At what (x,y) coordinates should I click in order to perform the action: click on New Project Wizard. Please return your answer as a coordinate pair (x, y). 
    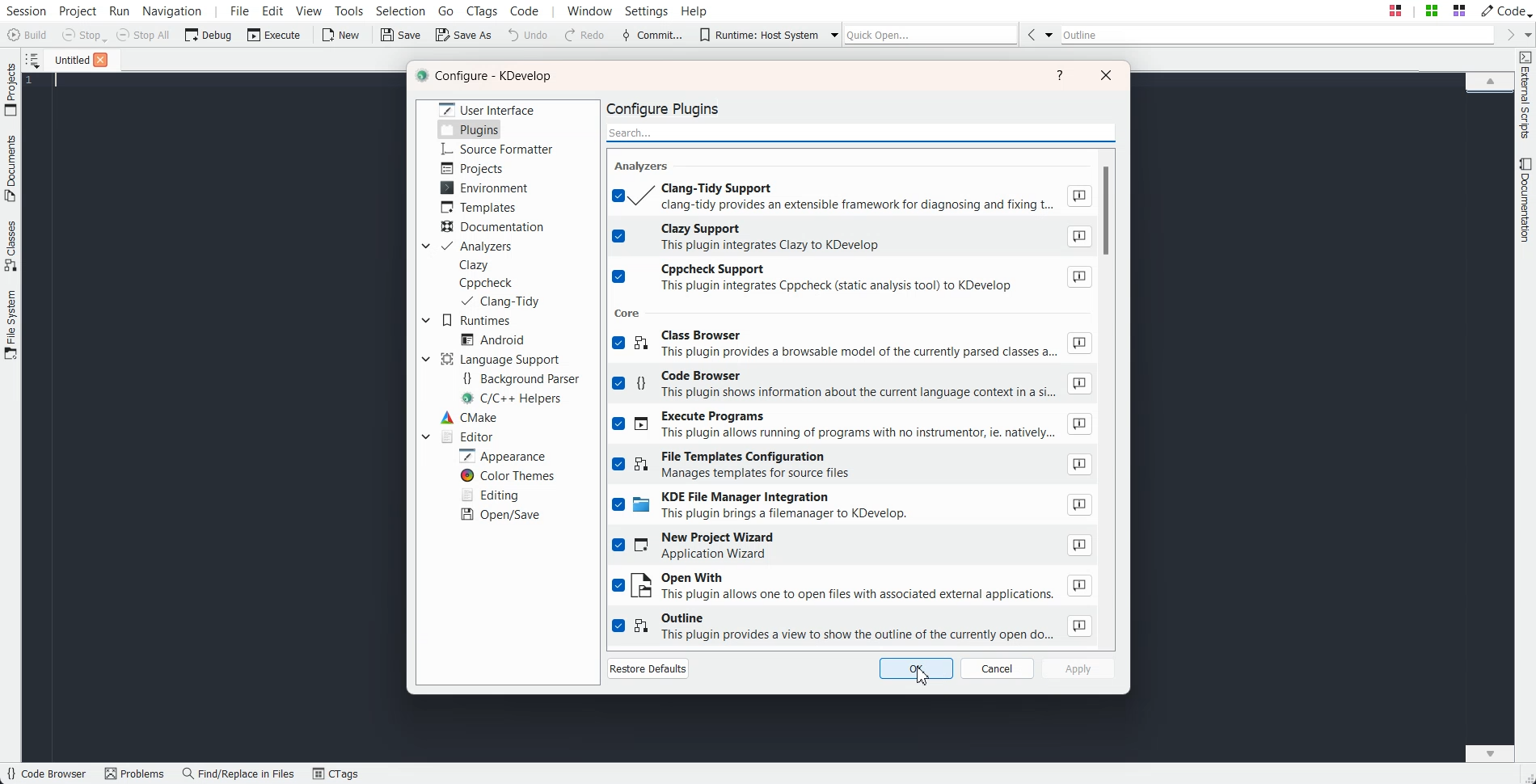
    Looking at the image, I should click on (853, 547).